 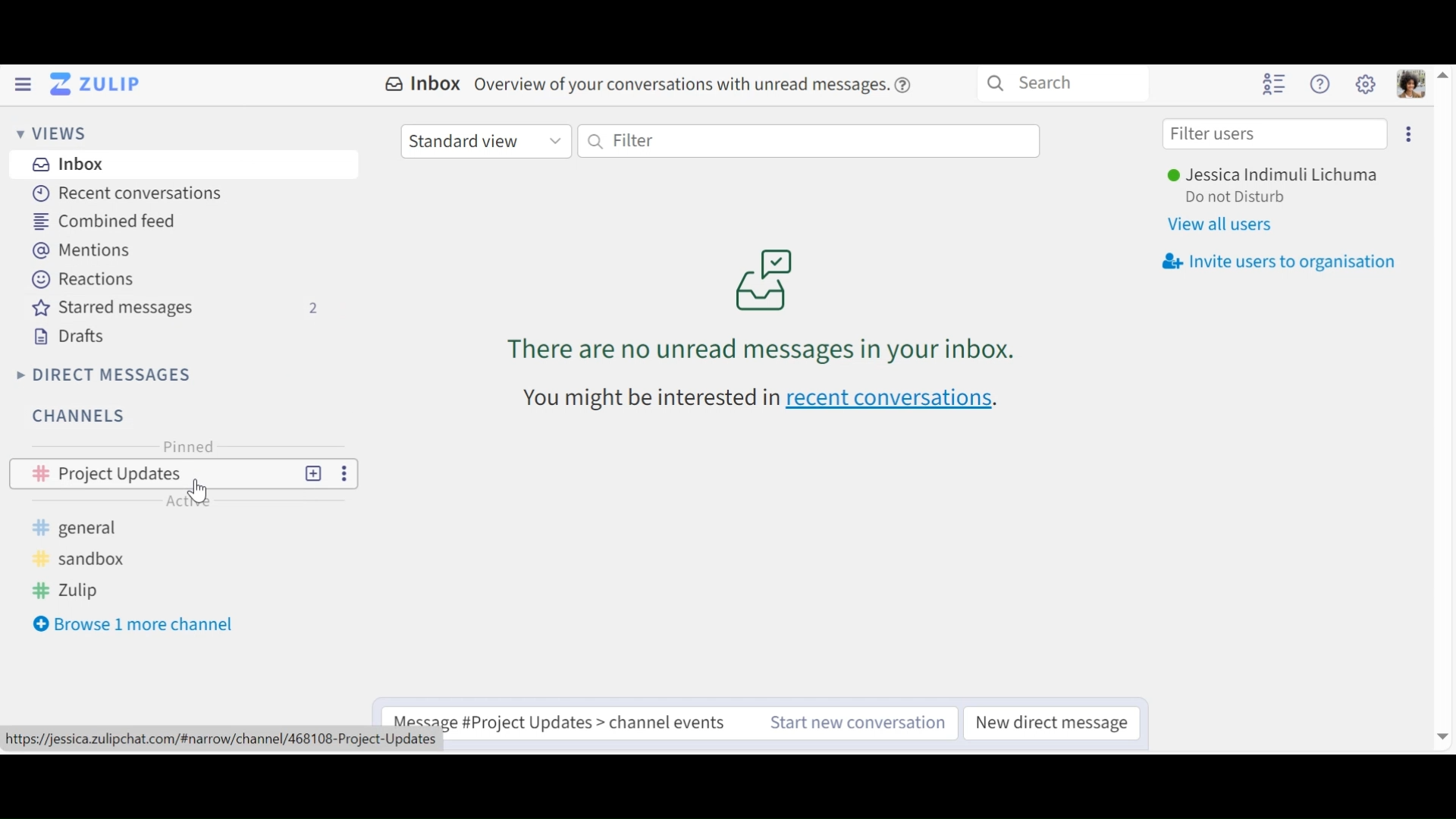 I want to click on Hide Left Sidebar, so click(x=24, y=83).